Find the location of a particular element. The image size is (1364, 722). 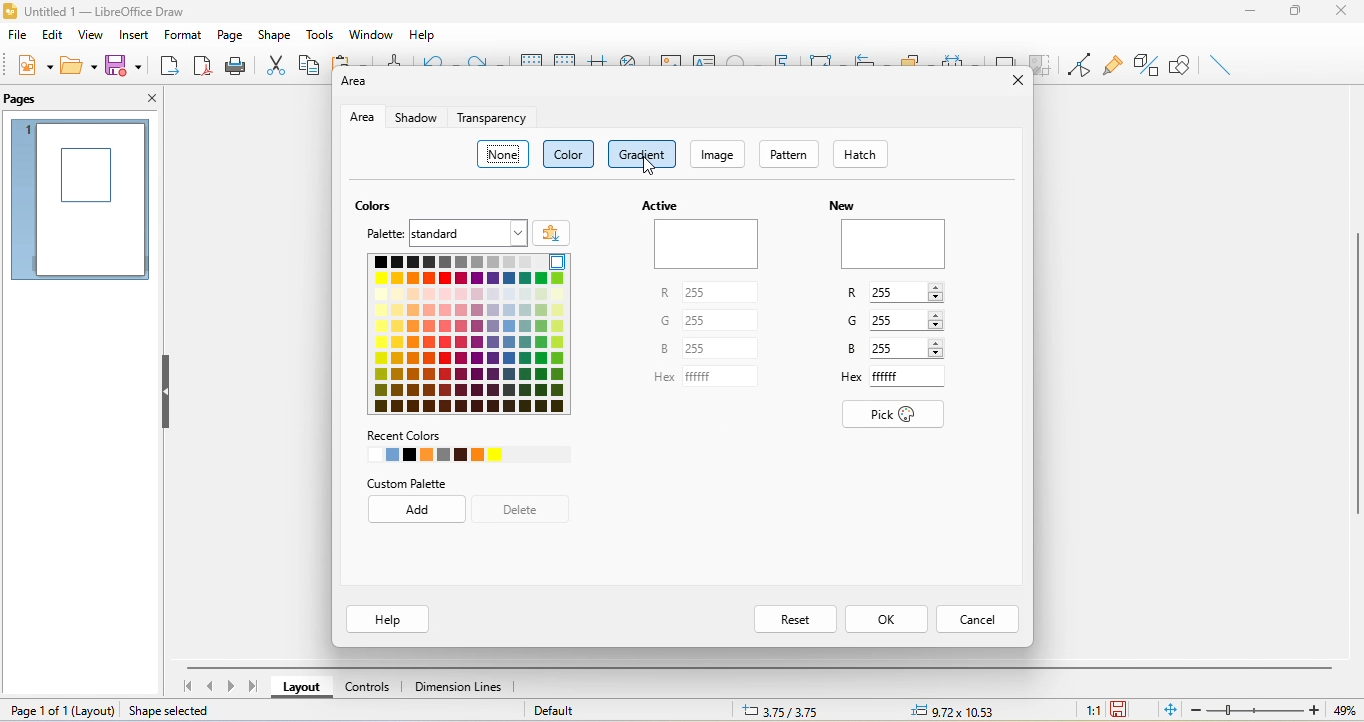

zoom is located at coordinates (1278, 710).